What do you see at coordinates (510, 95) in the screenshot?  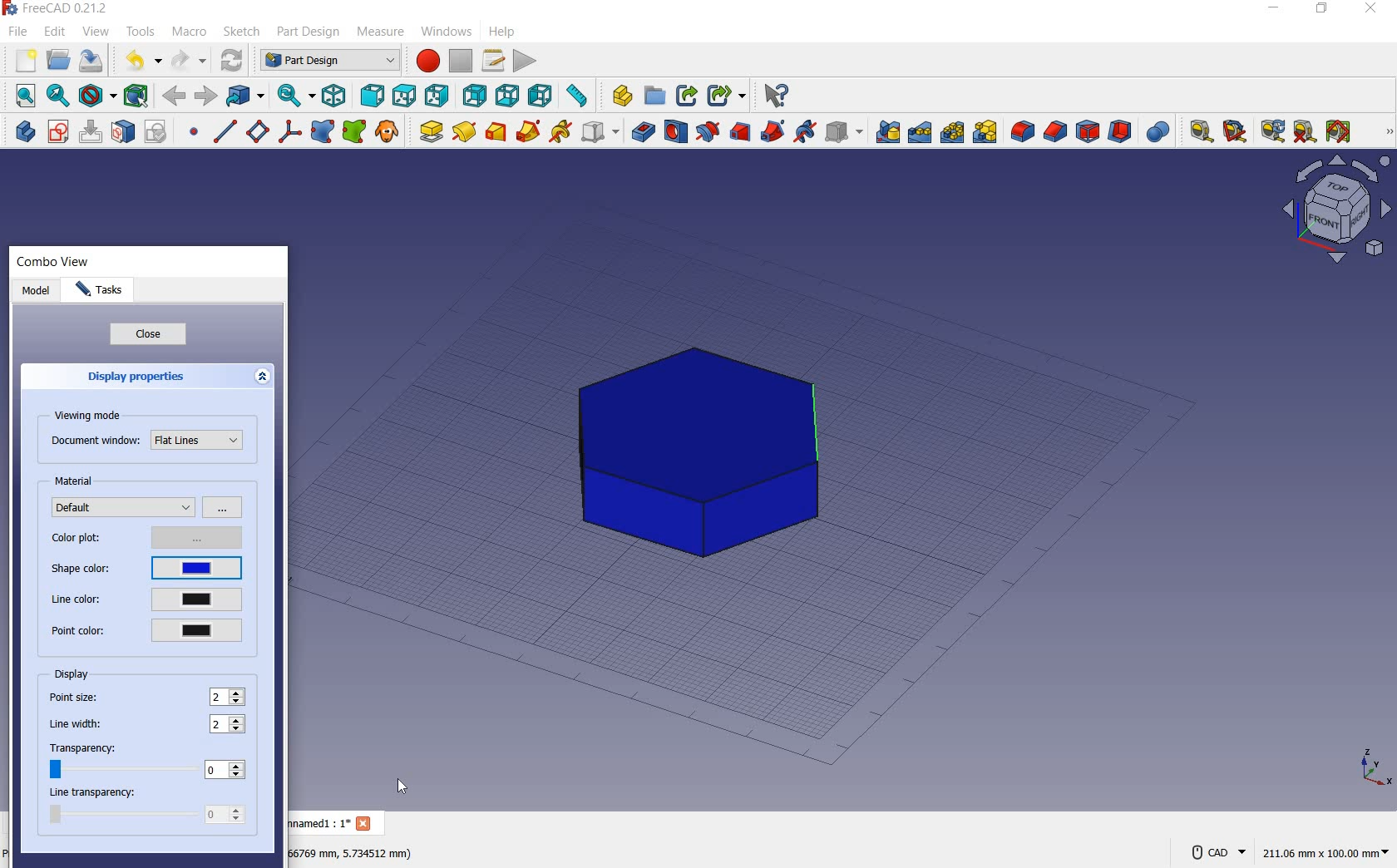 I see `bottom` at bounding box center [510, 95].